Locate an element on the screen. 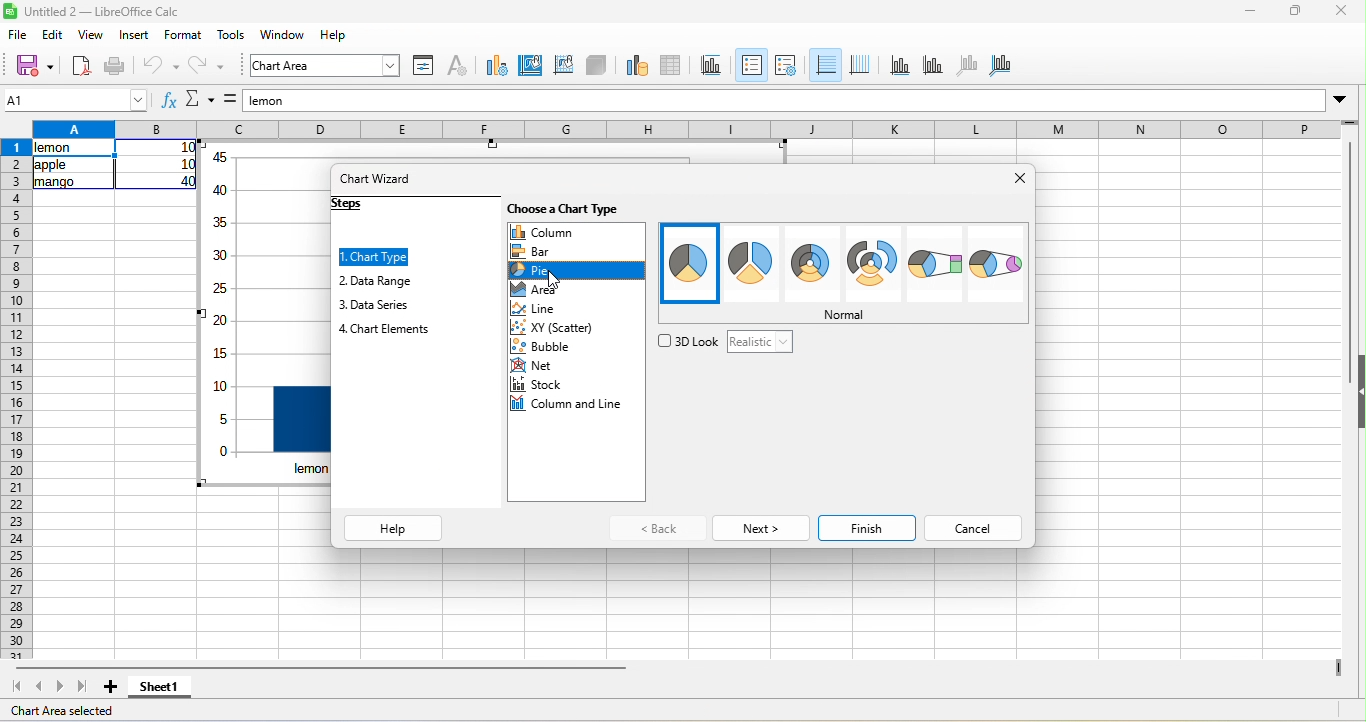 The width and height of the screenshot is (1366, 722). chart wall is located at coordinates (562, 65).